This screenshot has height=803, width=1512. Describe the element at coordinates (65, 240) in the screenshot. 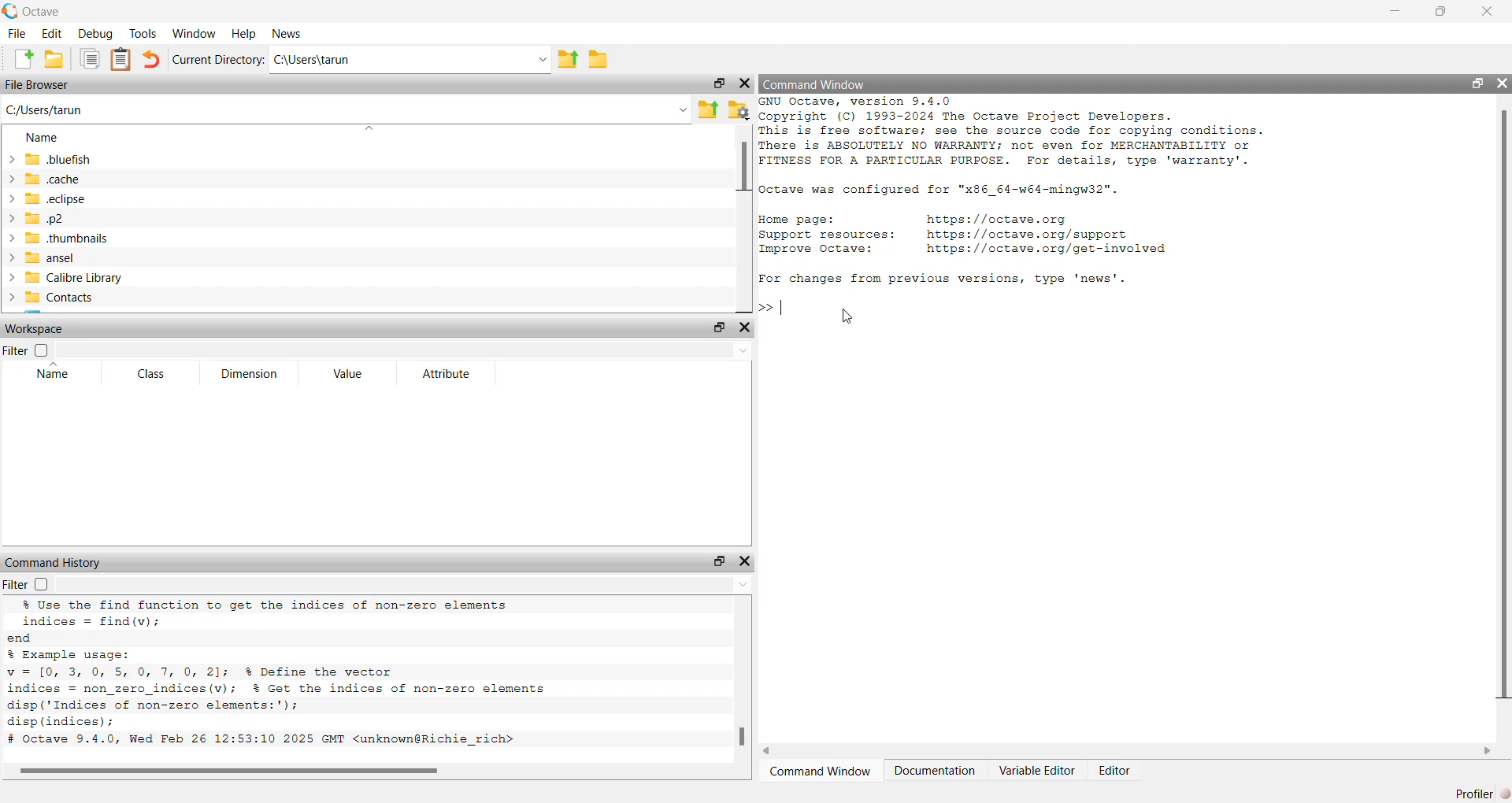

I see `thumbnails` at that location.